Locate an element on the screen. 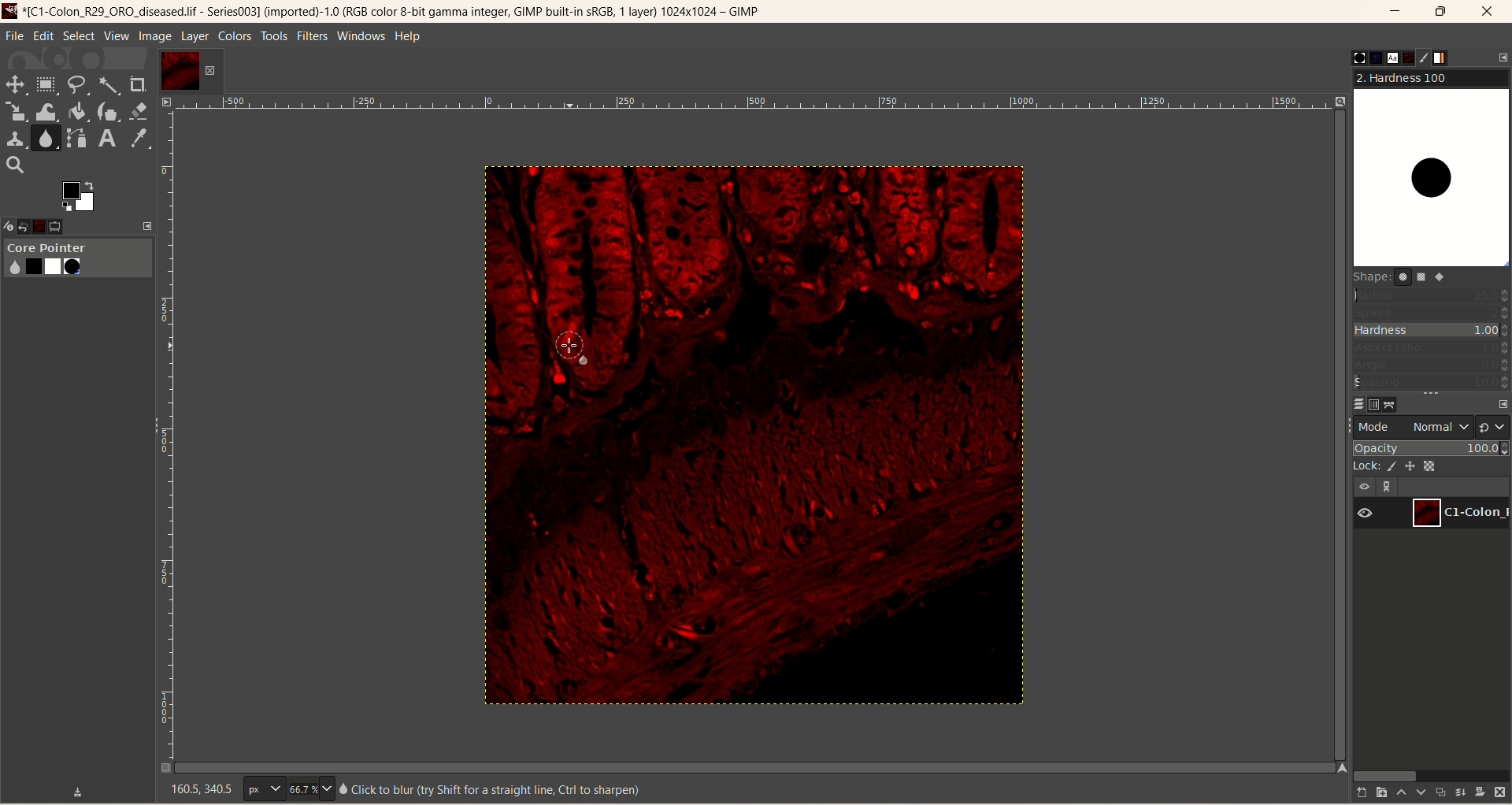 Image resolution: width=1512 pixels, height=805 pixels. color picker tool is located at coordinates (139, 139).